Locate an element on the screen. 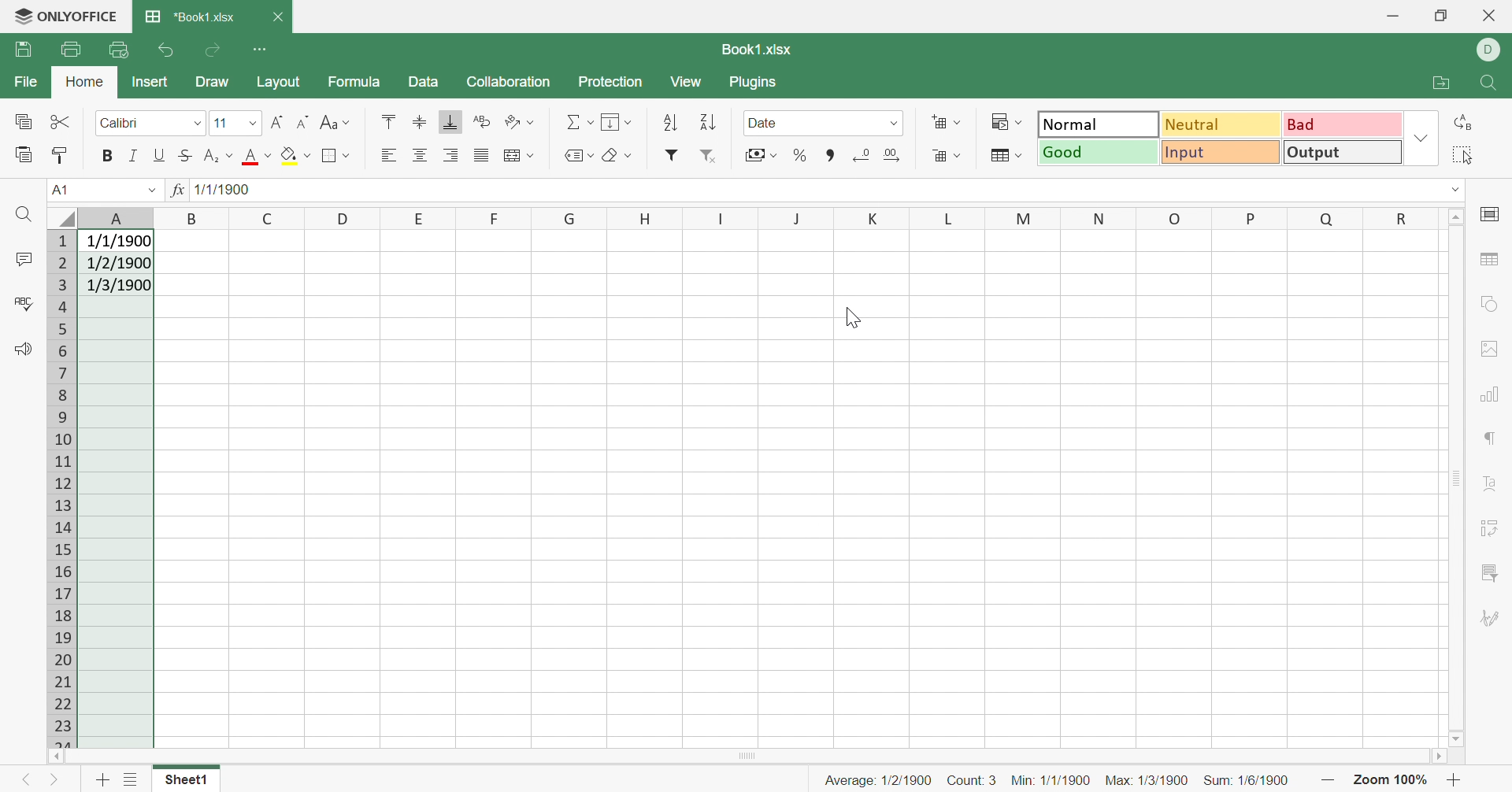 Image resolution: width=1512 pixels, height=792 pixels. 1/3/1900 is located at coordinates (119, 283).